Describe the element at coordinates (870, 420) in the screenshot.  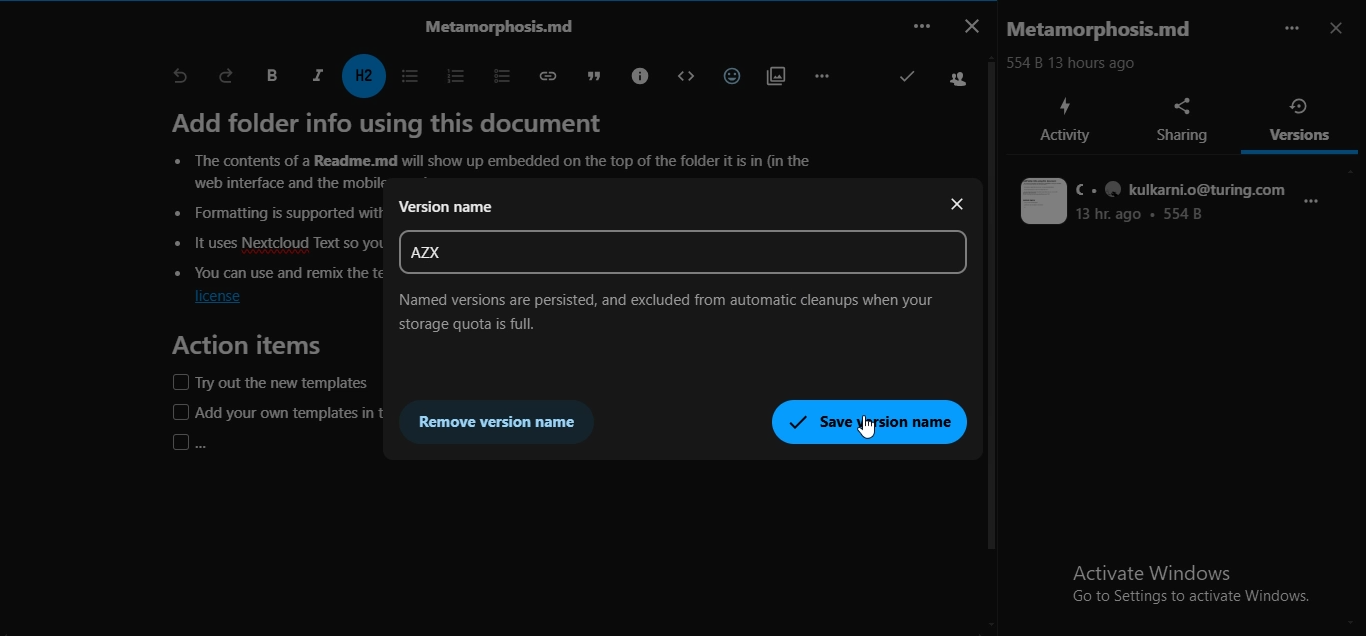
I see `save version name` at that location.